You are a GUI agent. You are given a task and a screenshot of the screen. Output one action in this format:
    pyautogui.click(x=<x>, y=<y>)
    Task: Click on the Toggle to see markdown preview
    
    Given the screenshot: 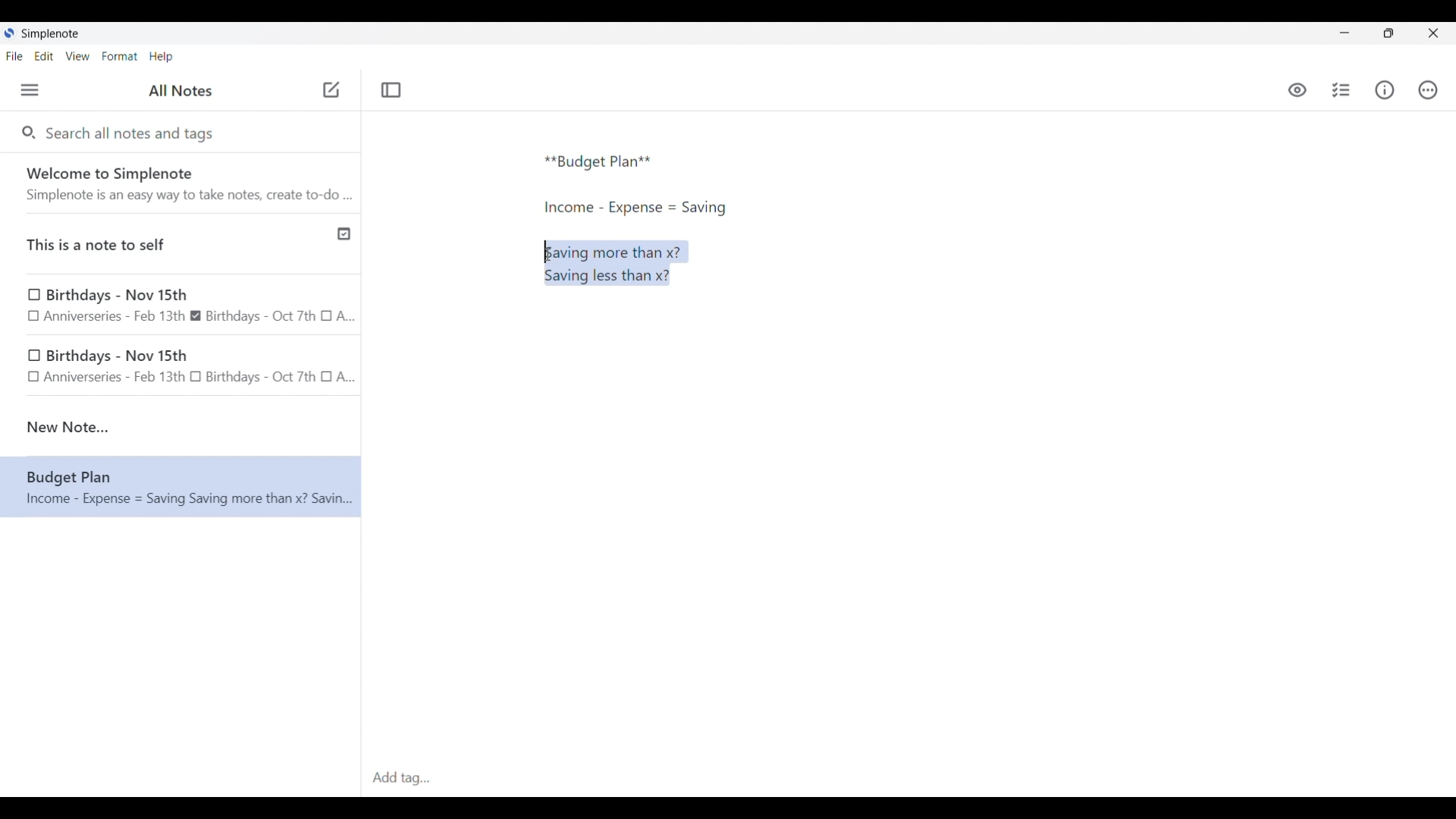 What is the action you would take?
    pyautogui.click(x=1298, y=90)
    